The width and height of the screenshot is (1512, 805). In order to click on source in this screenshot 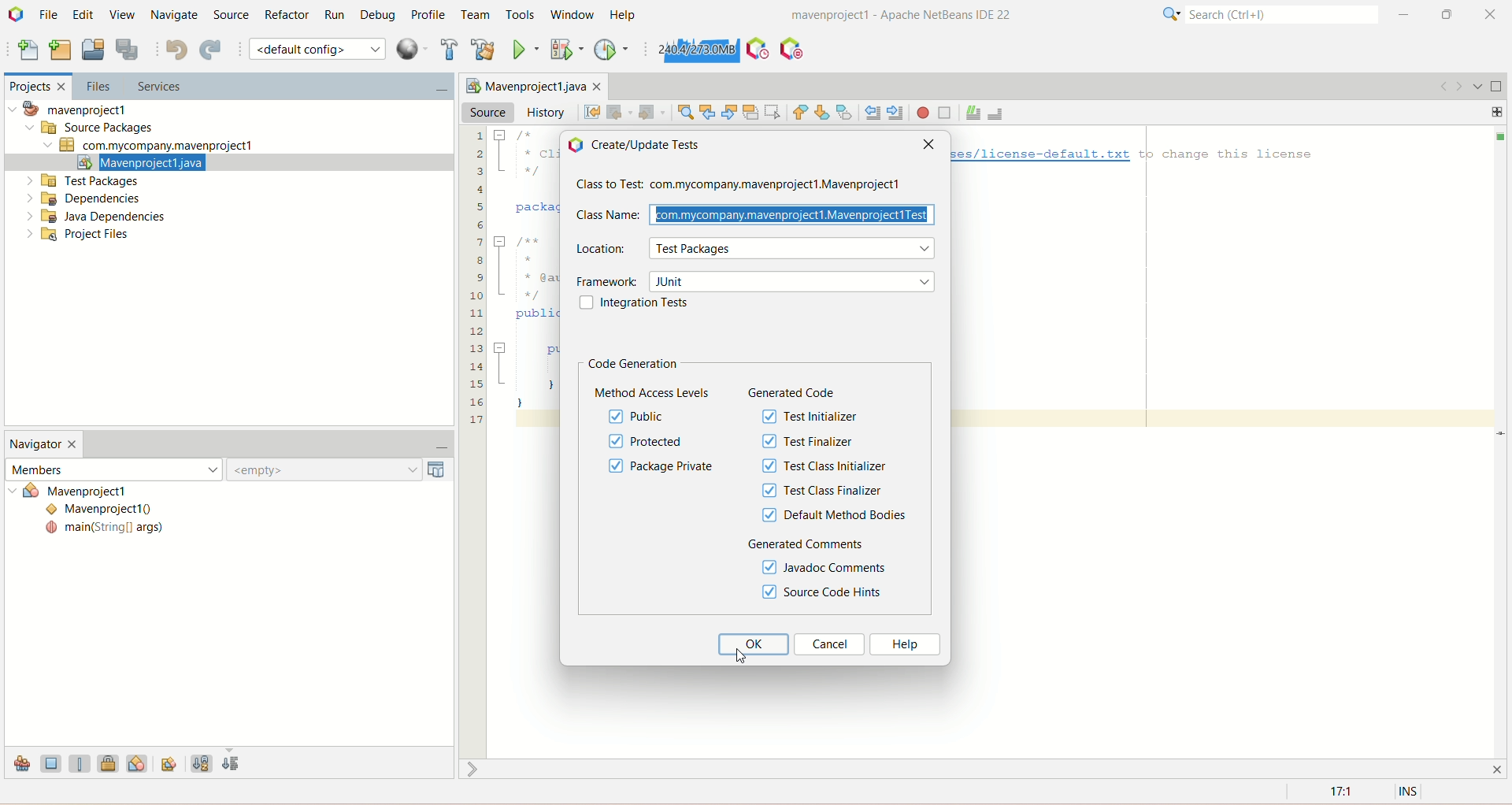, I will do `click(489, 110)`.